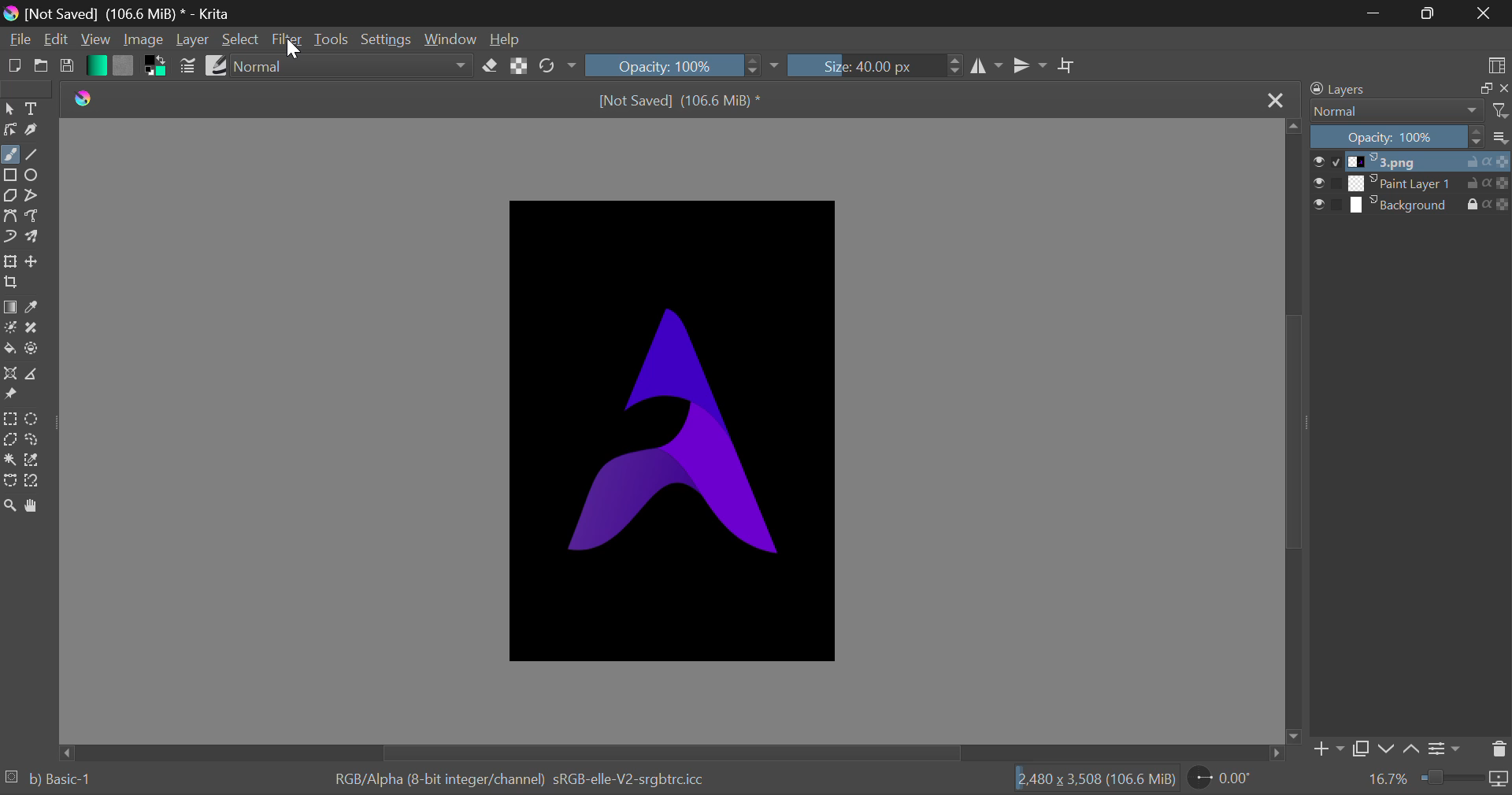  Describe the element at coordinates (10, 130) in the screenshot. I see `Edit Shapes` at that location.